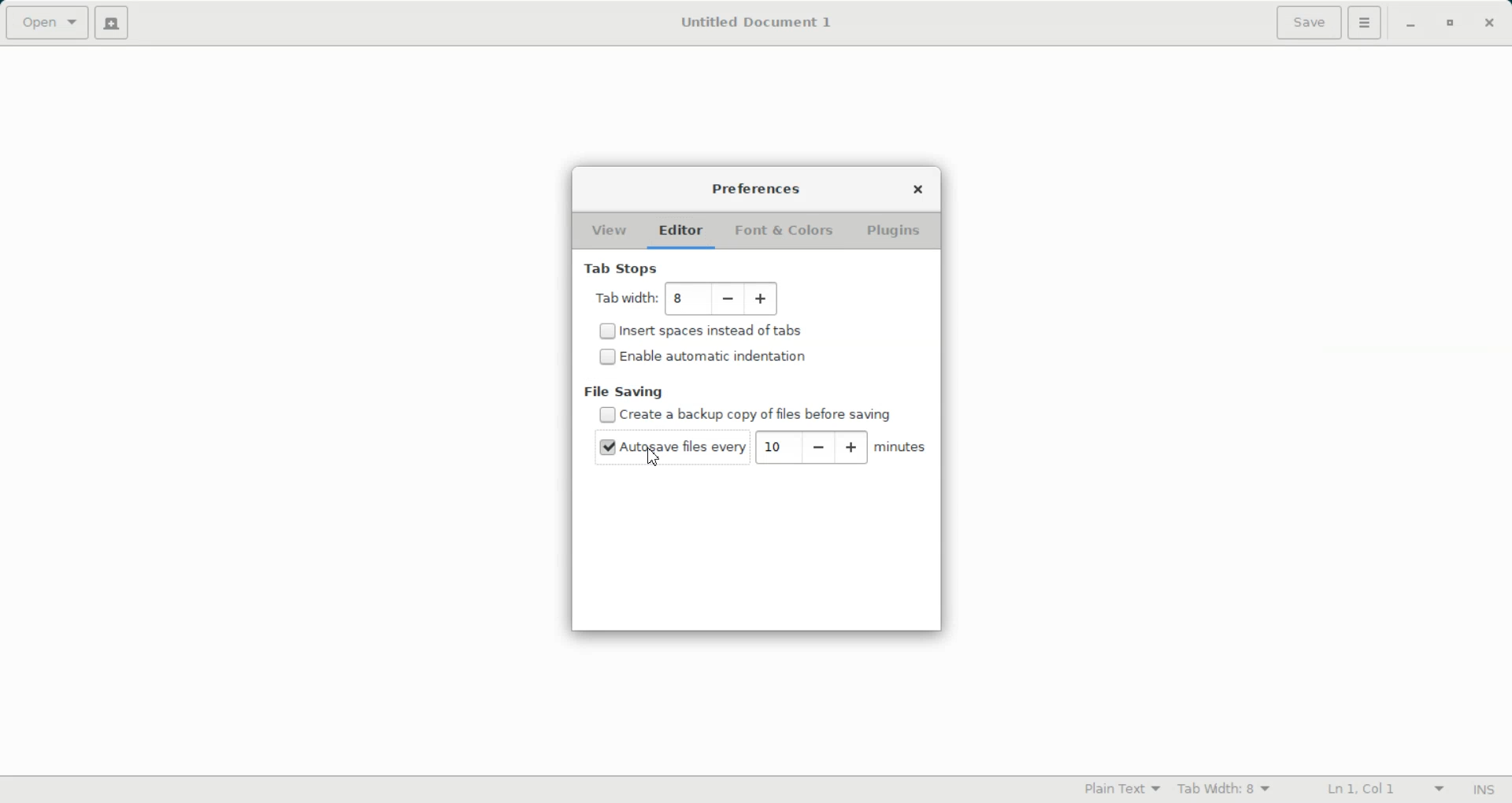 The height and width of the screenshot is (803, 1512). What do you see at coordinates (773, 447) in the screenshot?
I see `10` at bounding box center [773, 447].